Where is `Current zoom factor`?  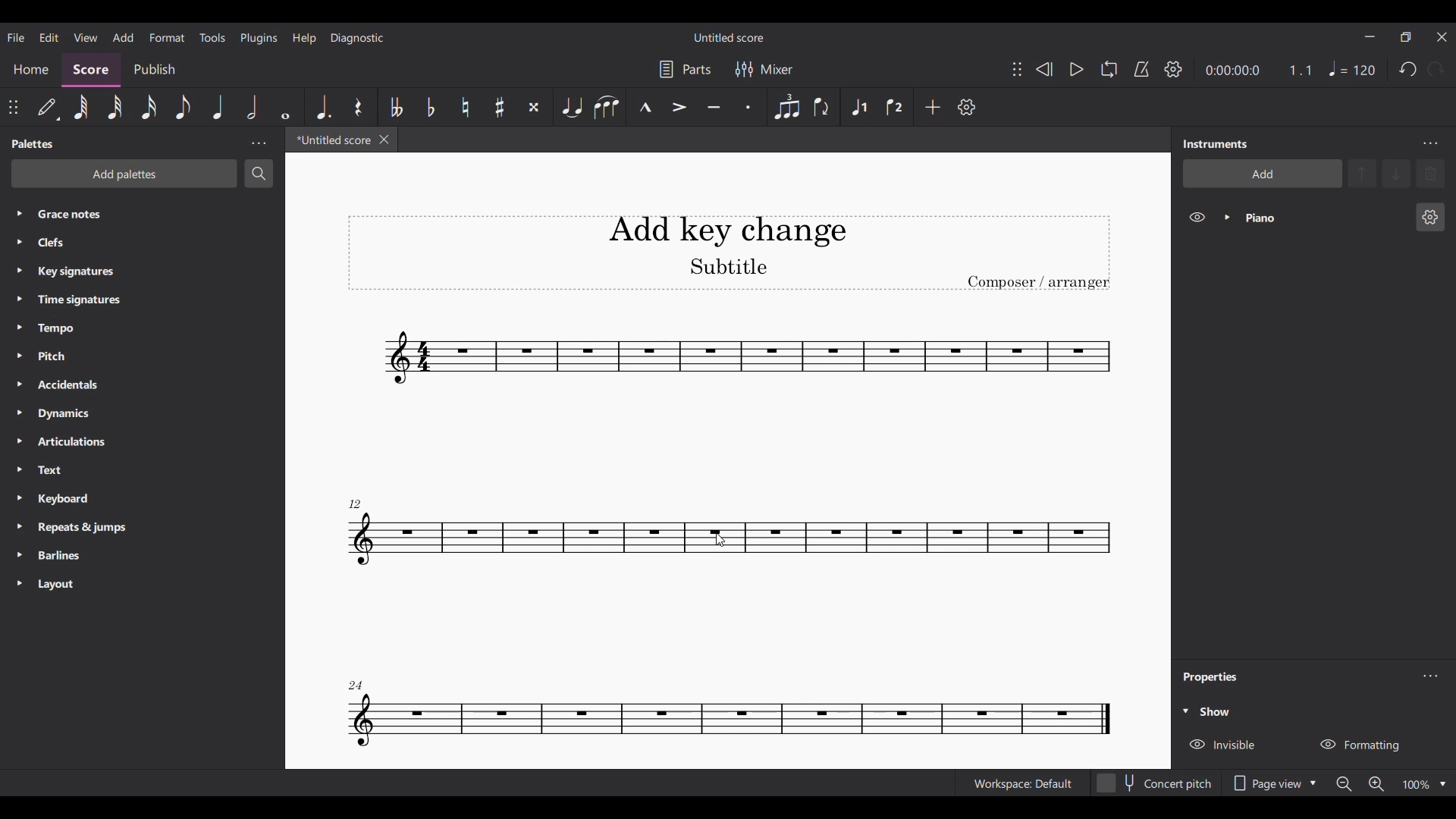
Current zoom factor is located at coordinates (1416, 785).